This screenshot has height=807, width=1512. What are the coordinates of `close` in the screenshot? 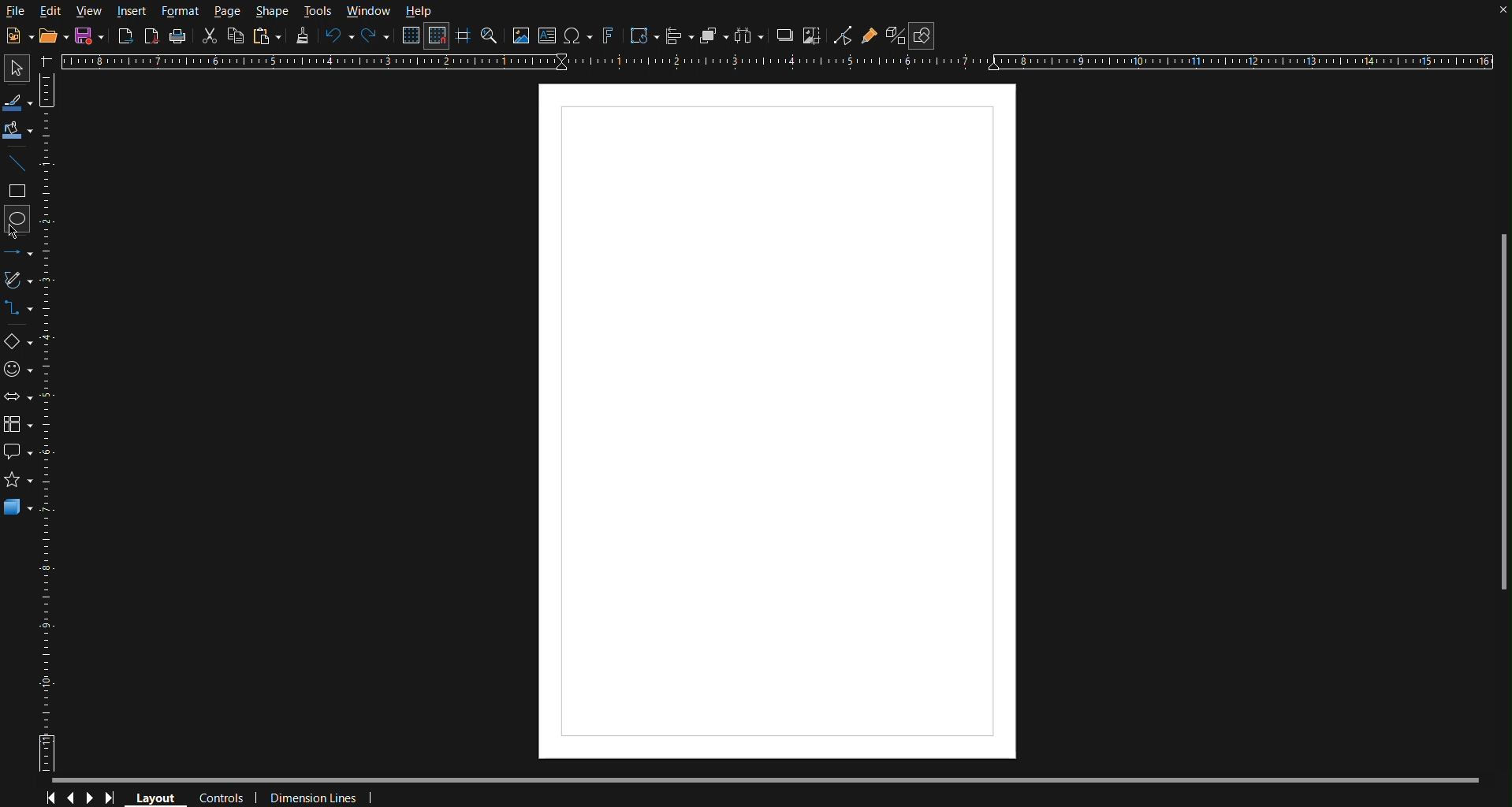 It's located at (1497, 13).